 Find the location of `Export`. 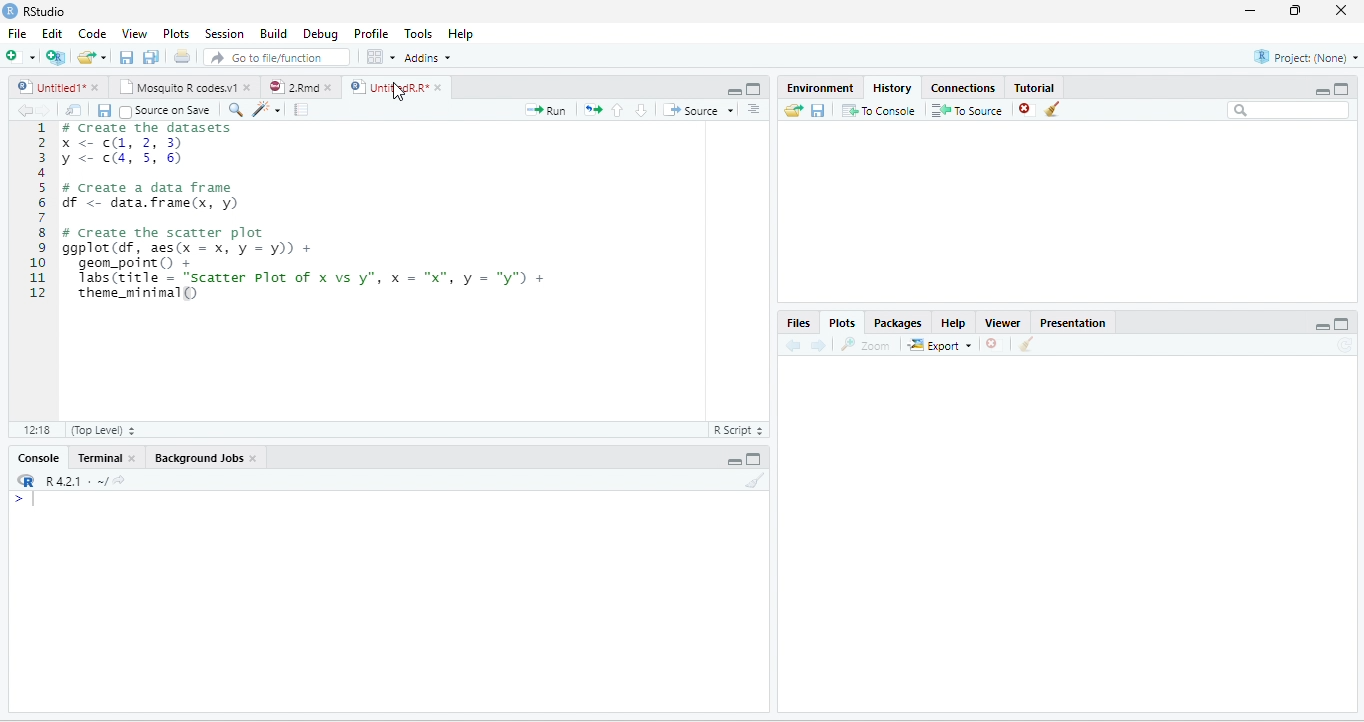

Export is located at coordinates (939, 345).